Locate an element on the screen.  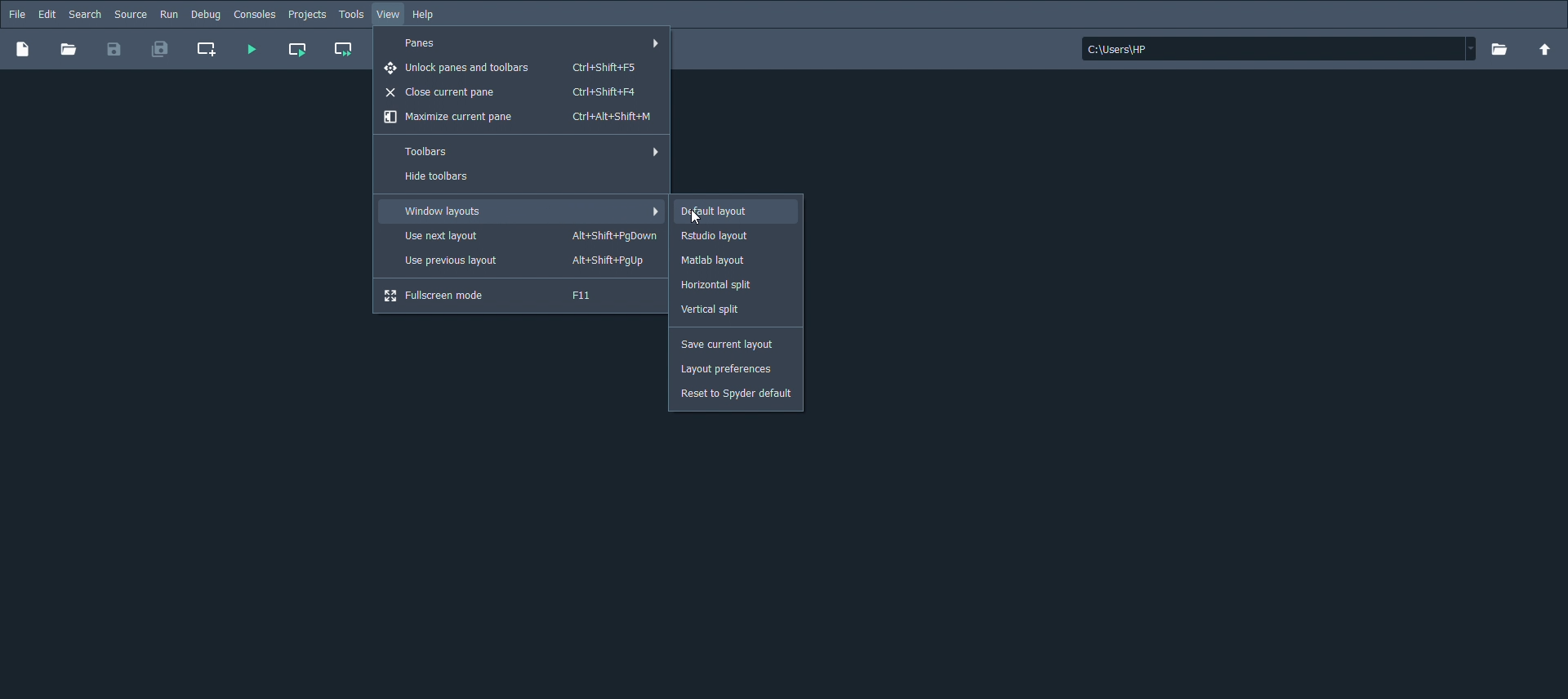
Browse a working directory is located at coordinates (1502, 50).